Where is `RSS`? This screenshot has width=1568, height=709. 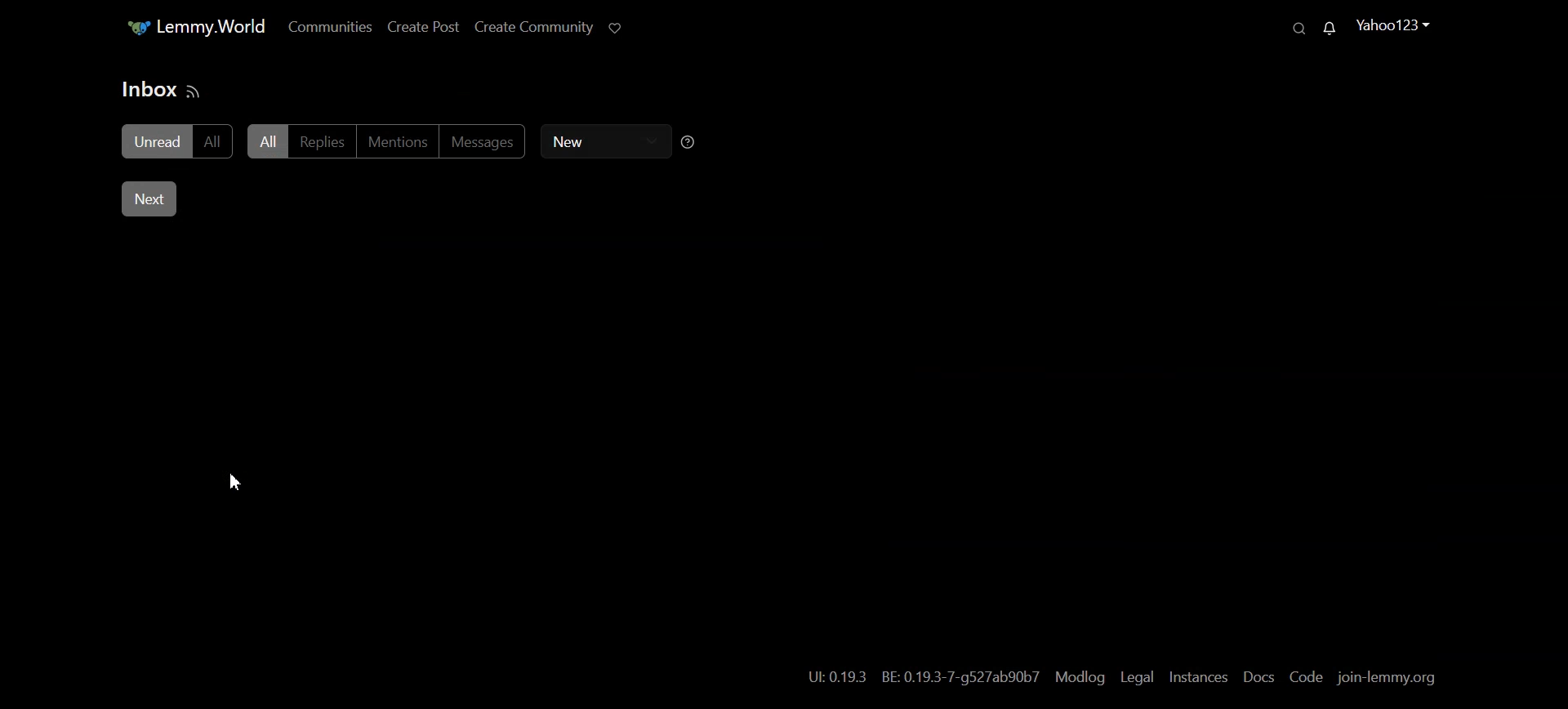
RSS is located at coordinates (194, 93).